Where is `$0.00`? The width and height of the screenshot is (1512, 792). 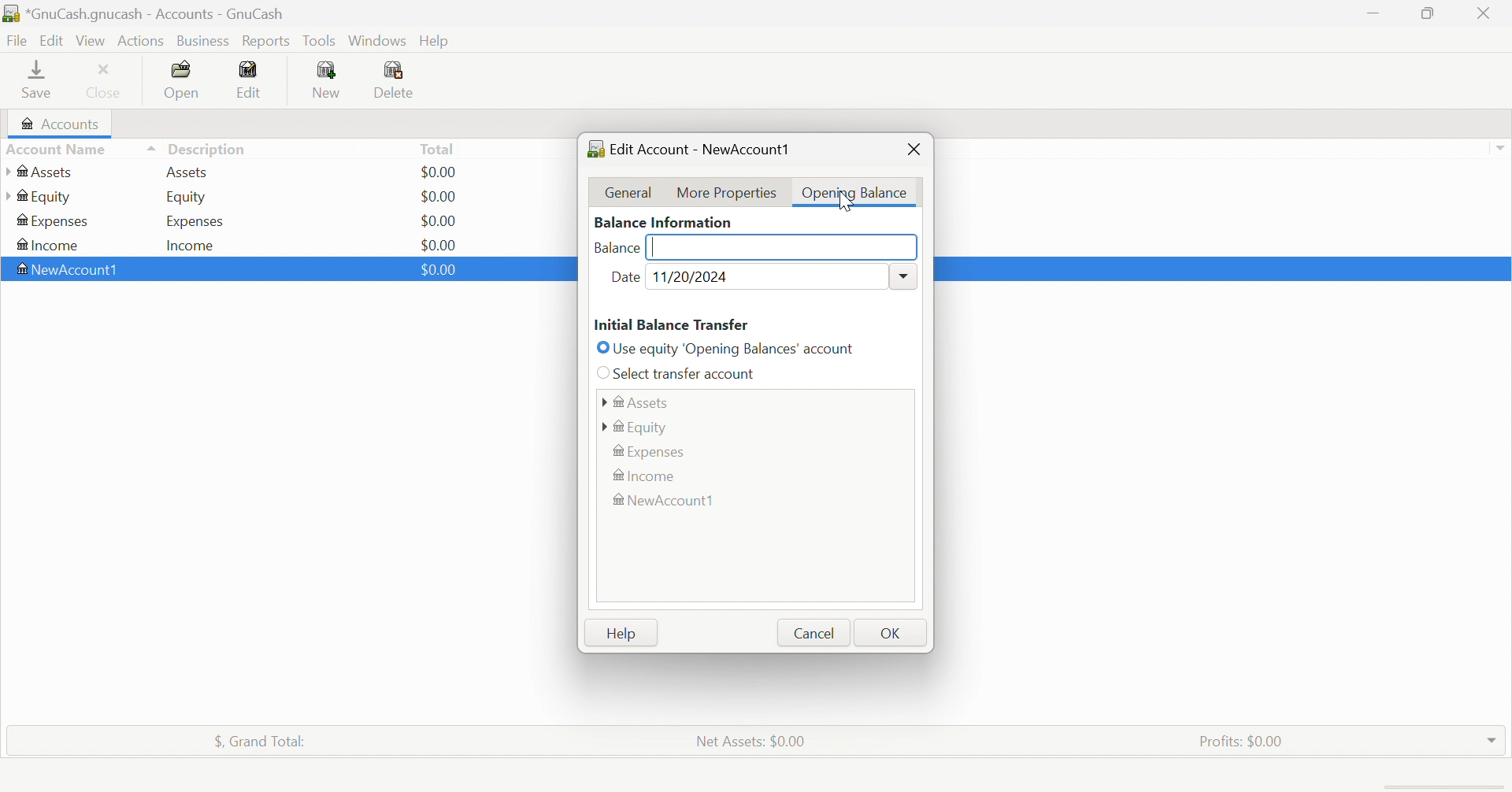 $0.00 is located at coordinates (439, 242).